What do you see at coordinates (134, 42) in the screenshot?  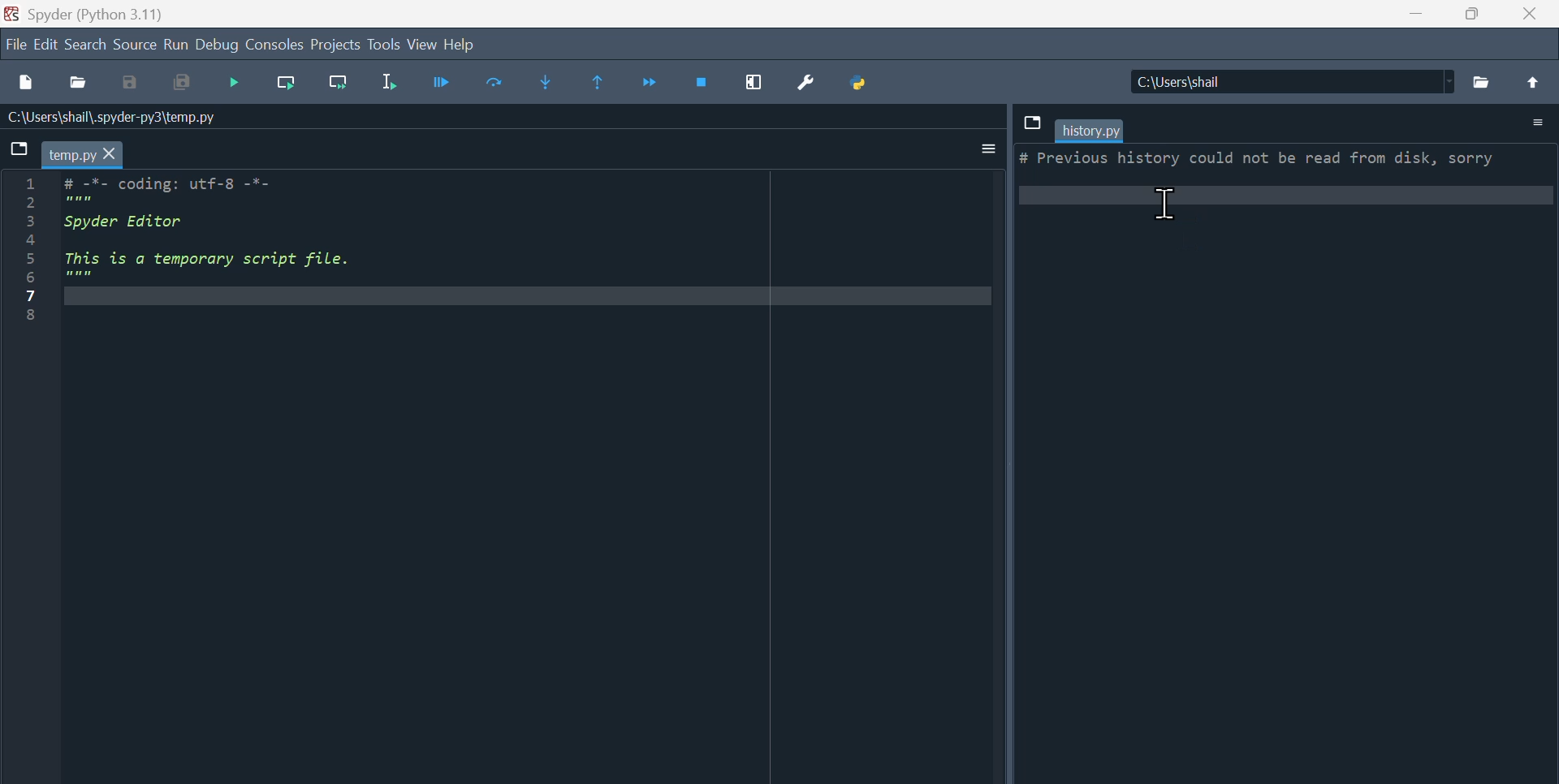 I see `Source` at bounding box center [134, 42].